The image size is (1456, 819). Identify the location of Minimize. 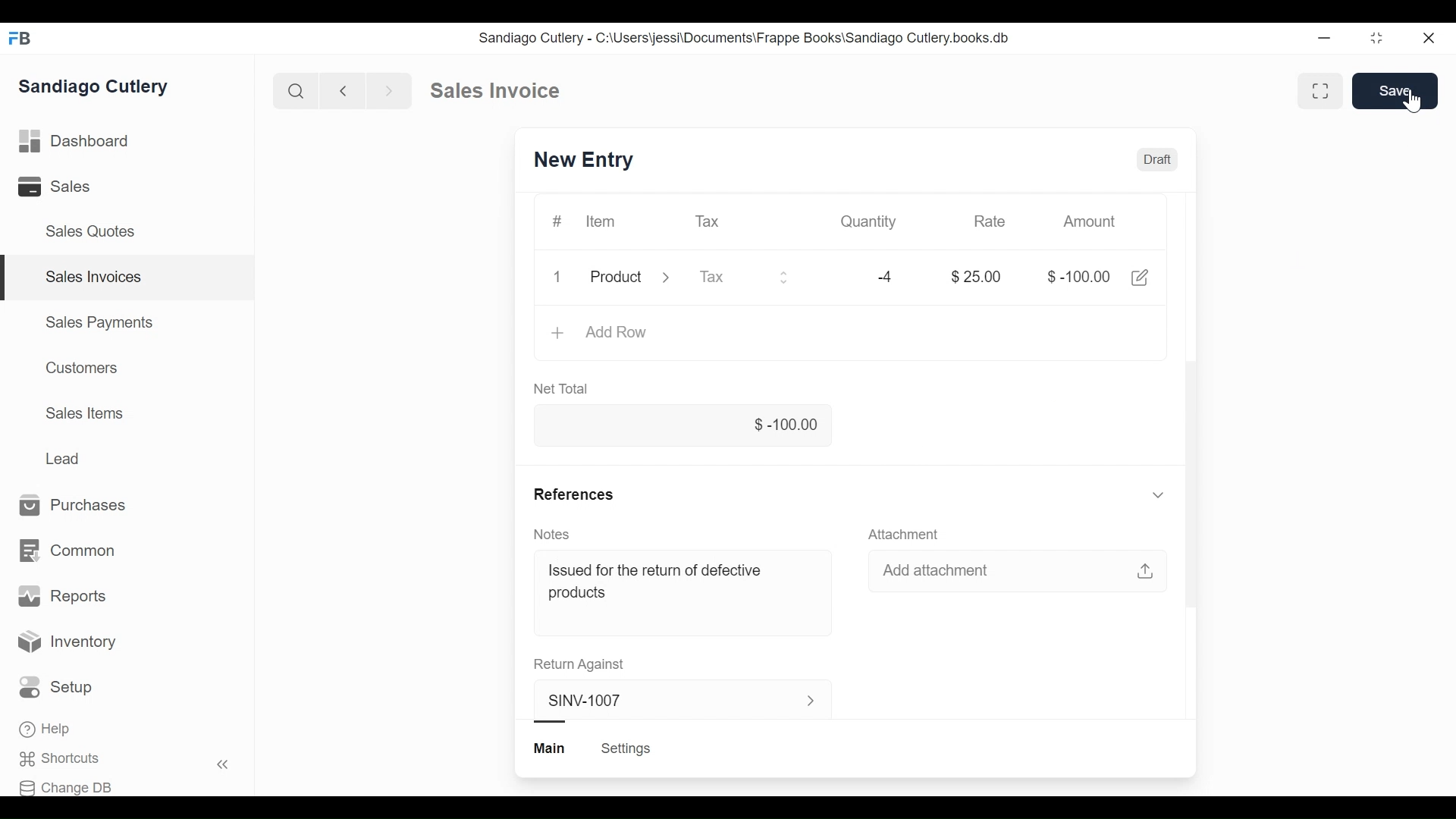
(1323, 38).